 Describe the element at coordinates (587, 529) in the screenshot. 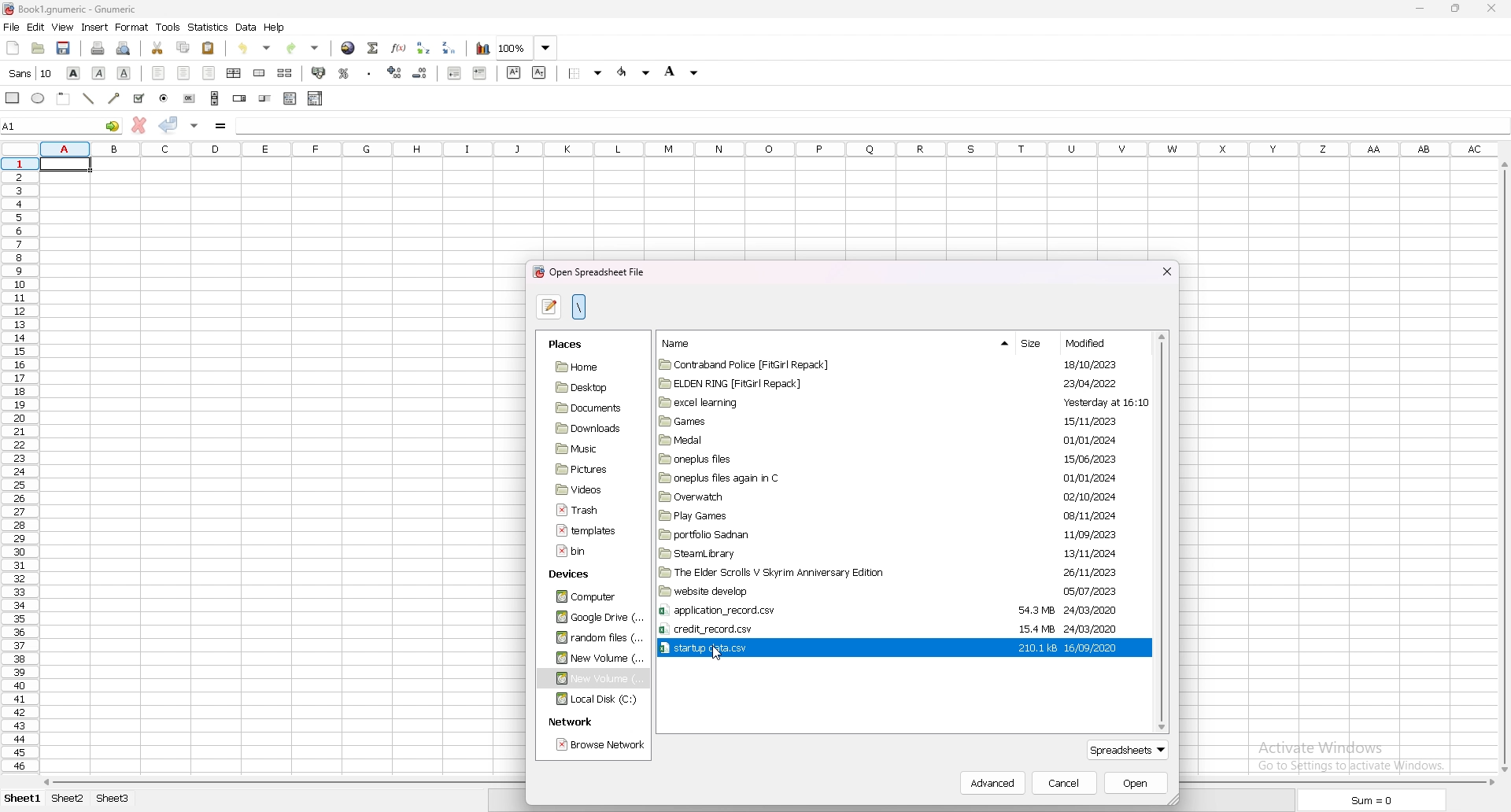

I see `file` at that location.